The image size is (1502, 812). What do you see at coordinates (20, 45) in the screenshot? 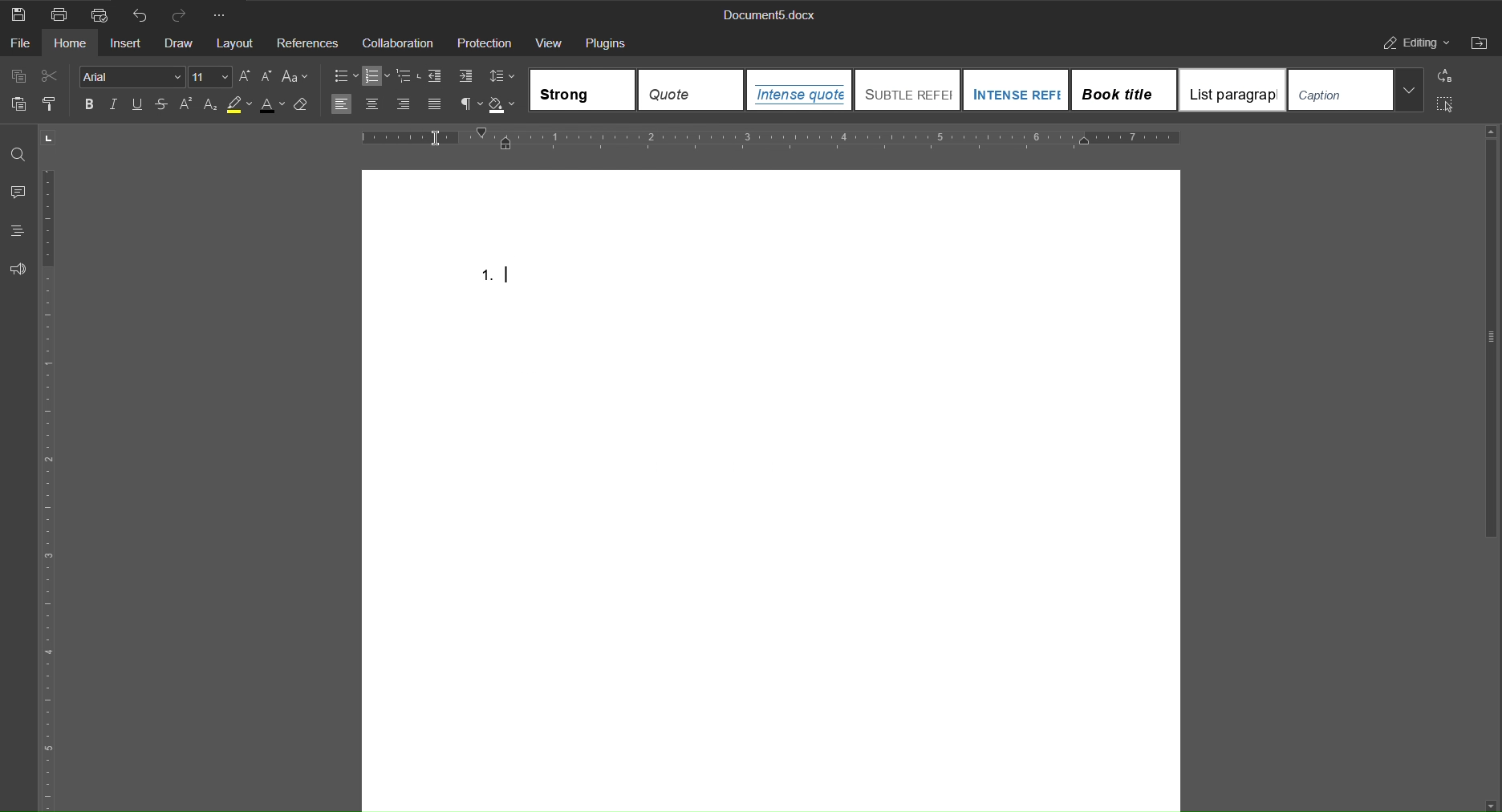
I see `File ` at bounding box center [20, 45].